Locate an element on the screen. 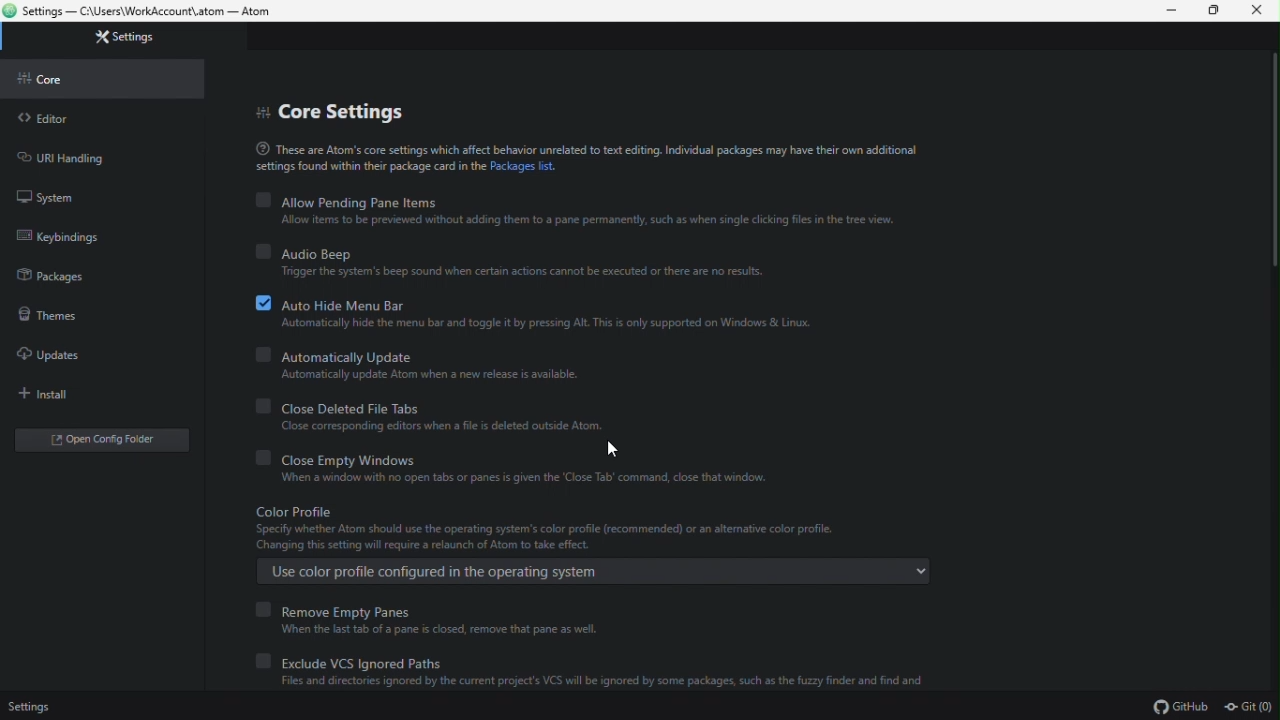 The height and width of the screenshot is (720, 1280). Automatically update Atom when a new release is available. is located at coordinates (453, 374).